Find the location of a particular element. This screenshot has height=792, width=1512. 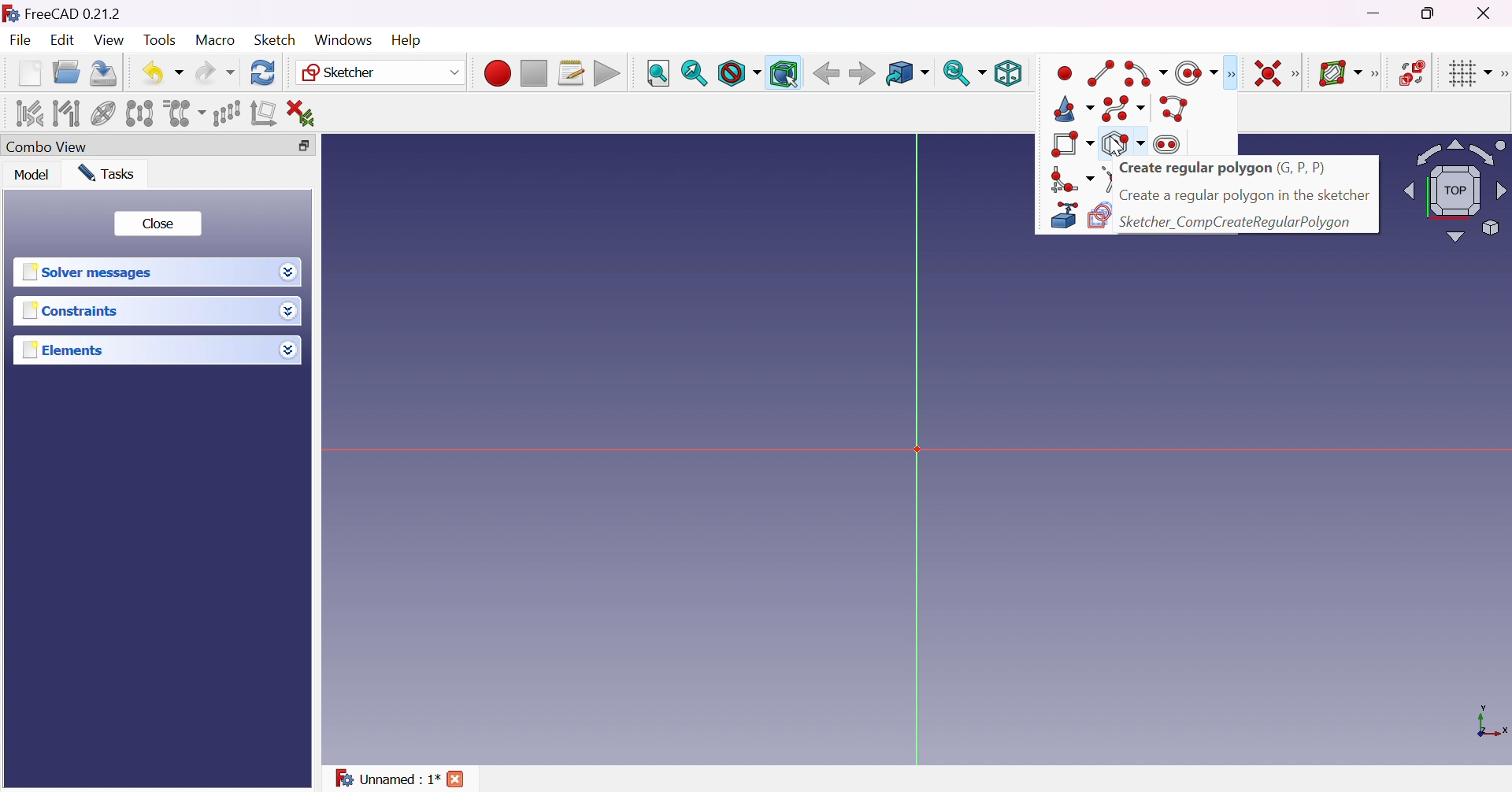

Create B-spline is located at coordinates (1122, 108).